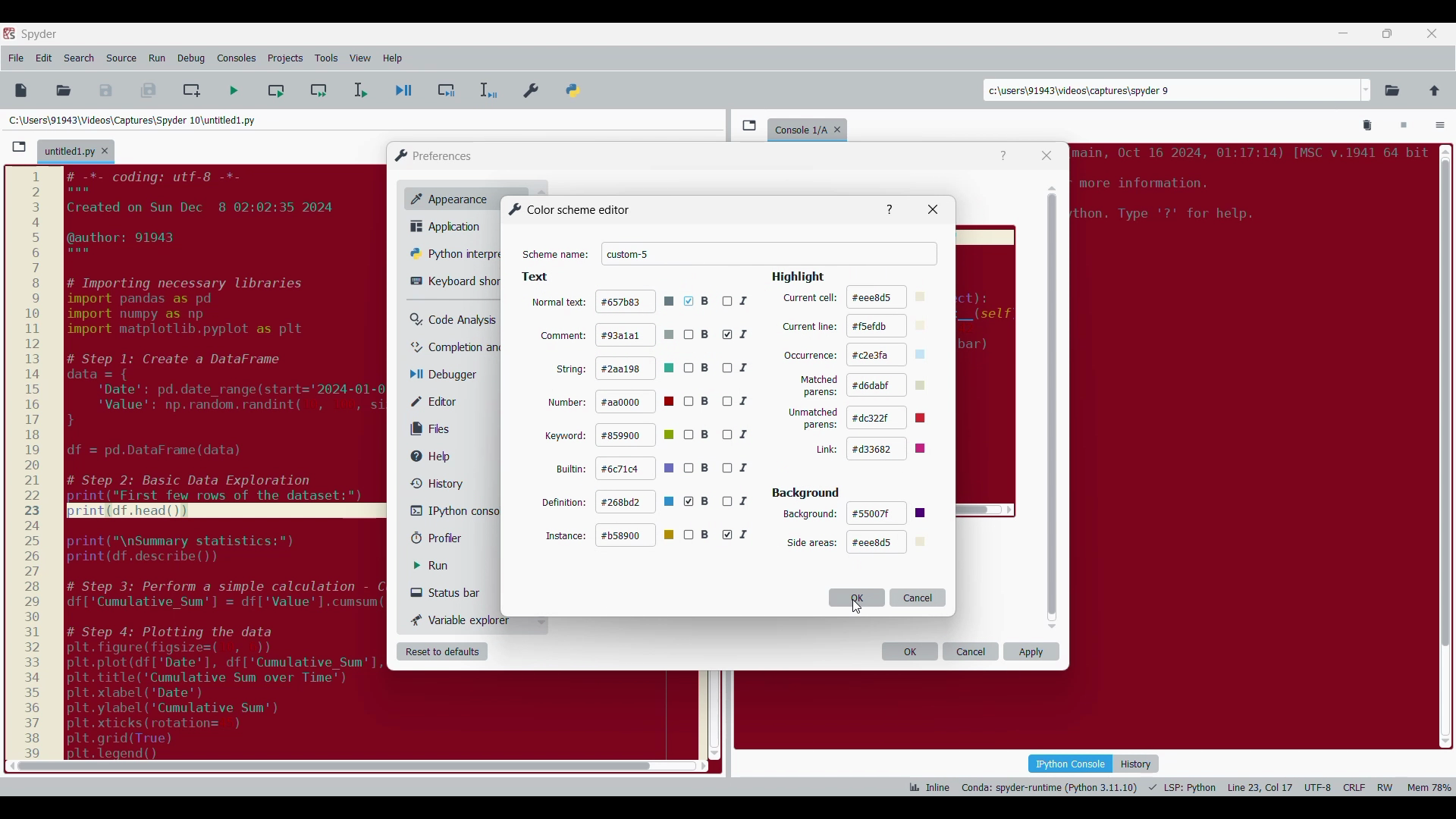 This screenshot has height=819, width=1456. What do you see at coordinates (738, 535) in the screenshot?
I see `I` at bounding box center [738, 535].